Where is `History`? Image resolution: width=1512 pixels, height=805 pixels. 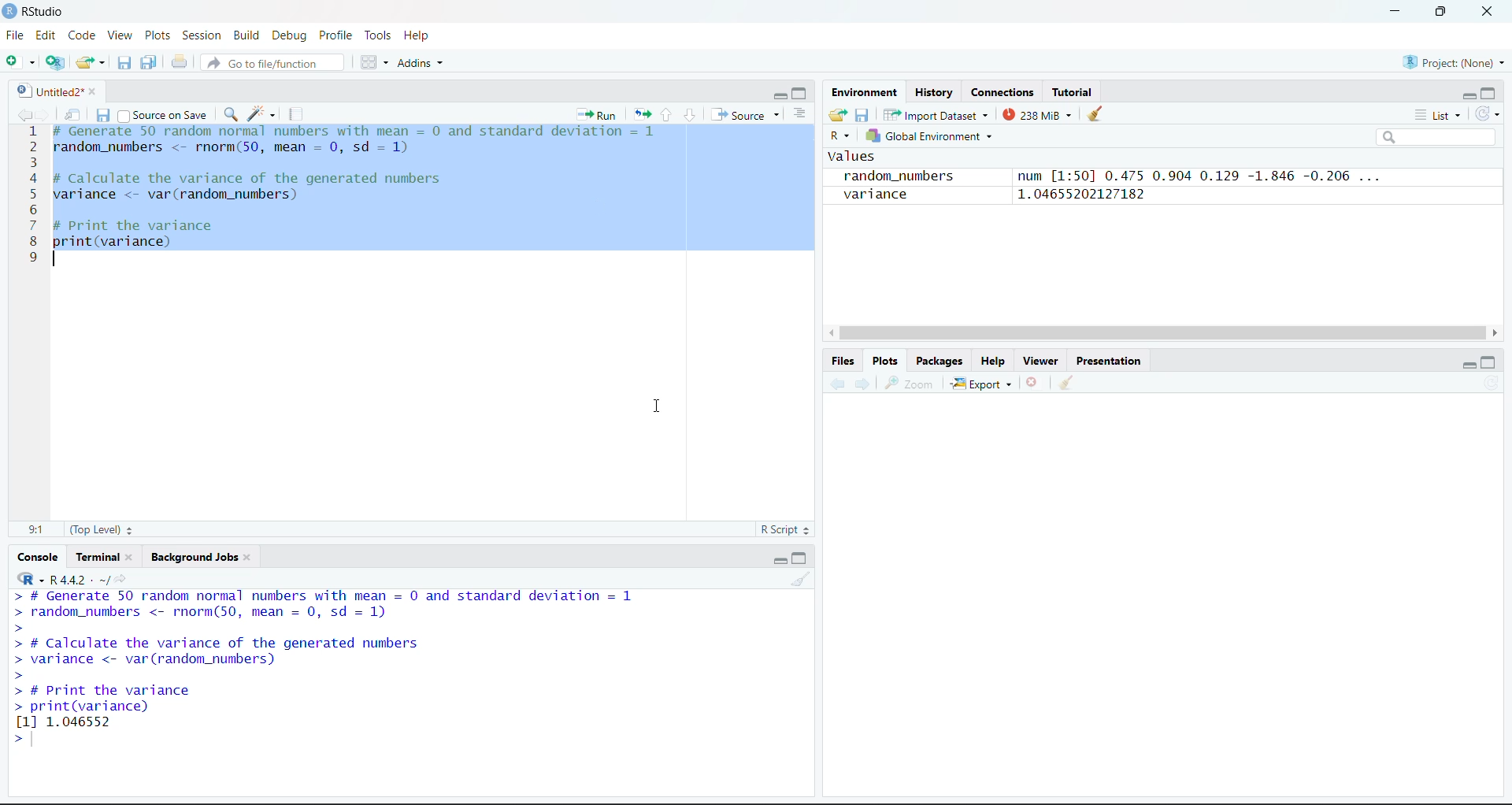
History is located at coordinates (933, 93).